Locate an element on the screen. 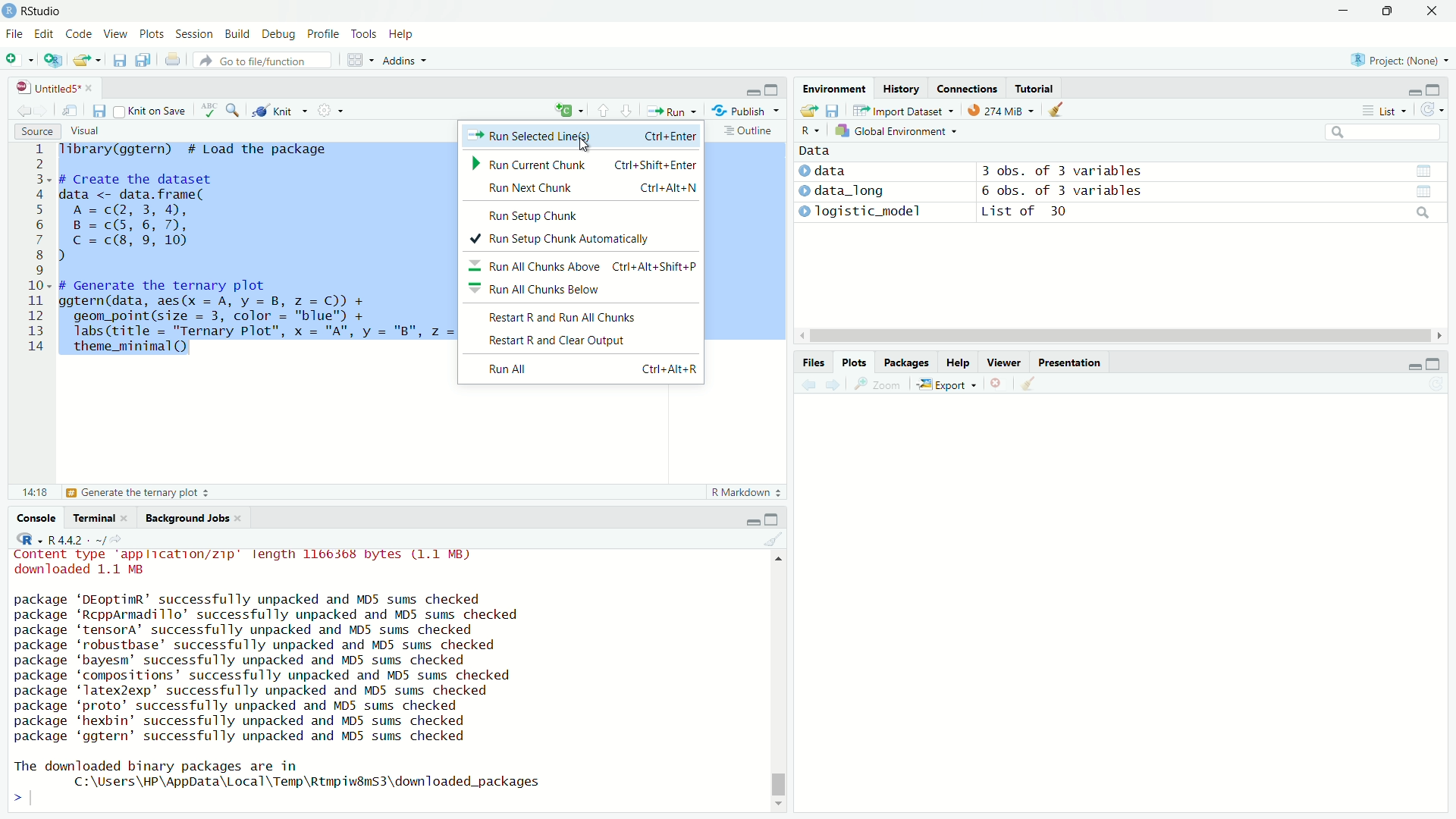 This screenshot has width=1456, height=819. maximise is located at coordinates (775, 88).